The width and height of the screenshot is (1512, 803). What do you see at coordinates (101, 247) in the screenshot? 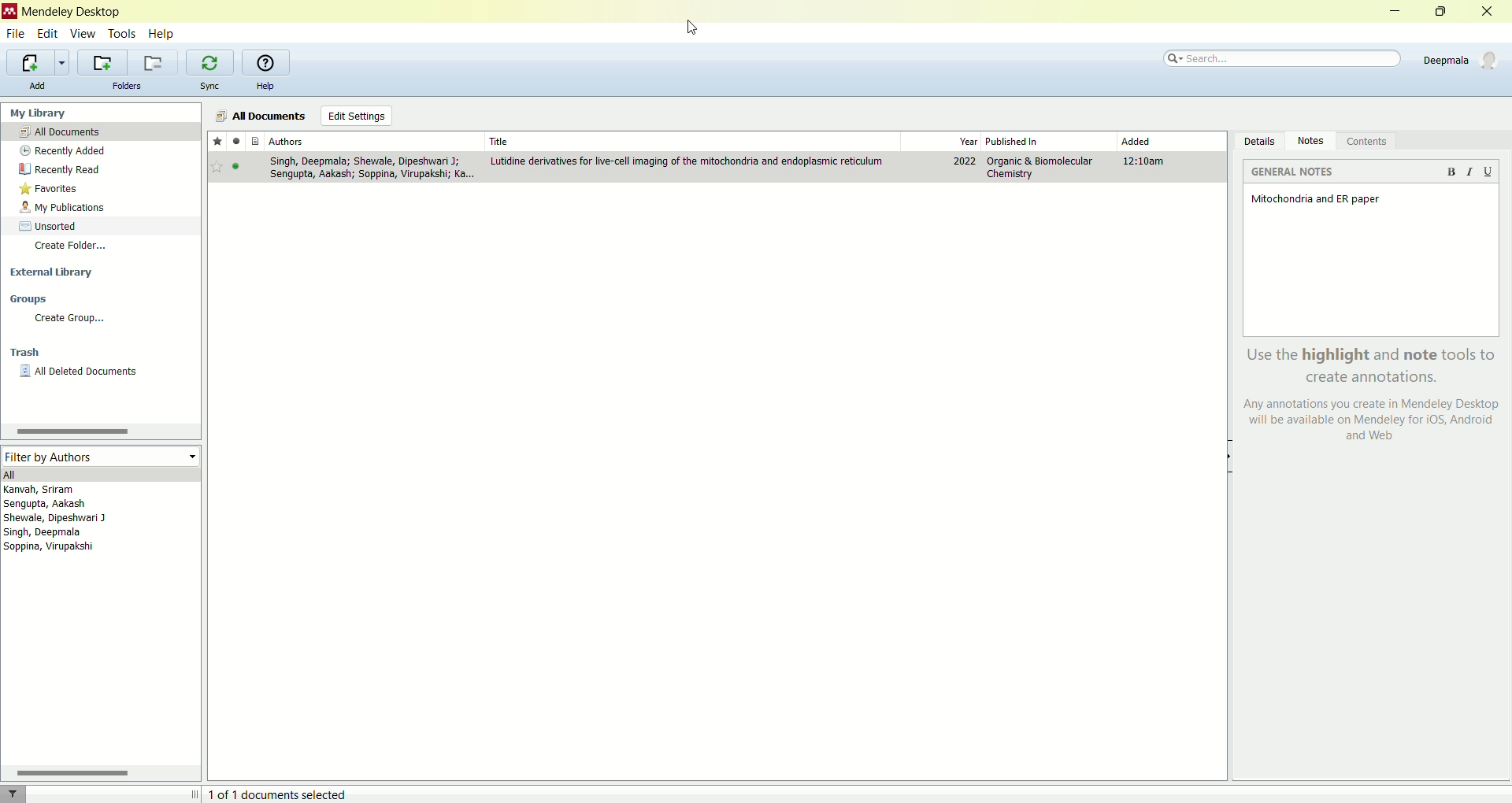
I see `create folder` at bounding box center [101, 247].